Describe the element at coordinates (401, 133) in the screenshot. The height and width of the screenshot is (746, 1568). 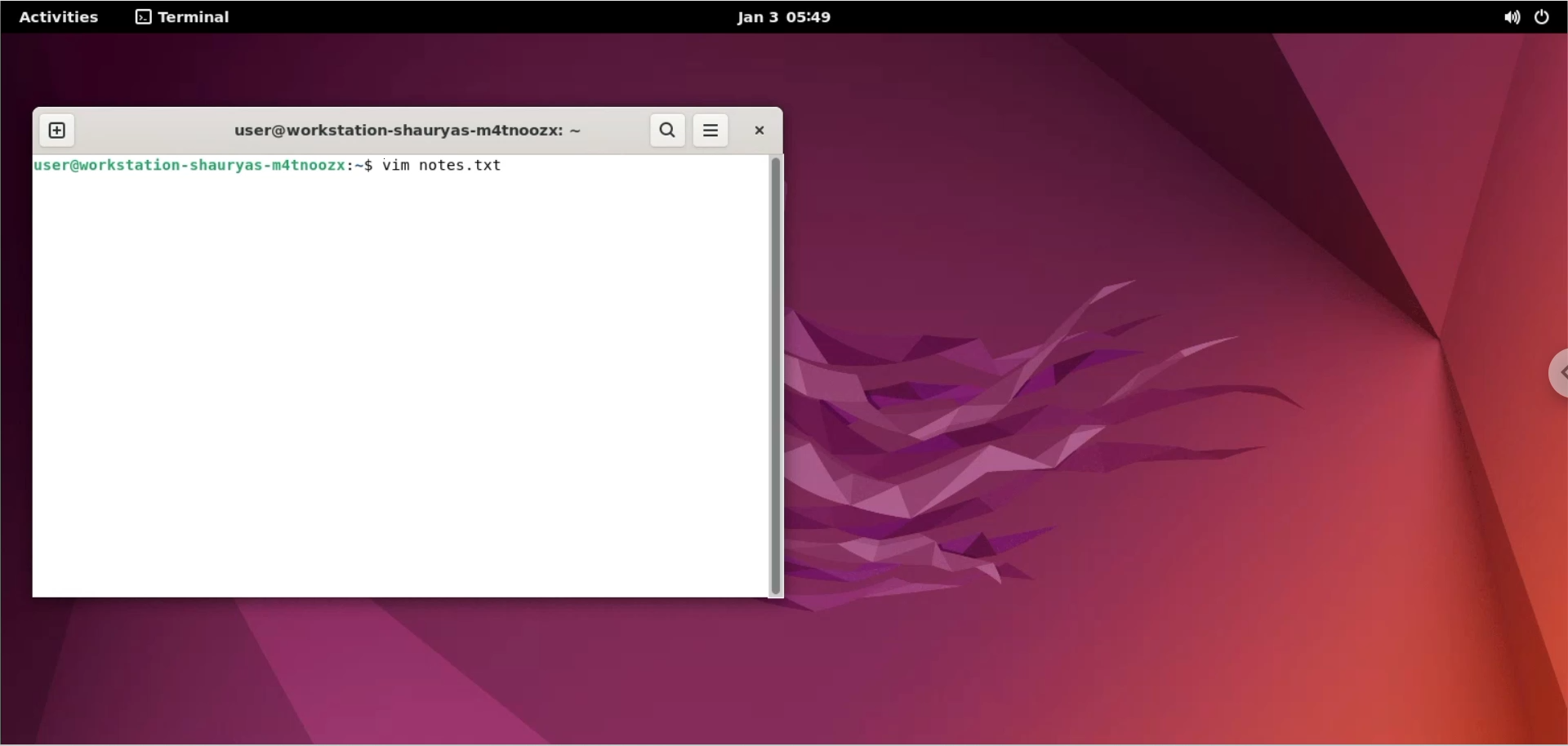
I see `user@workstation-shauryas-m4tnoozx: ~` at that location.